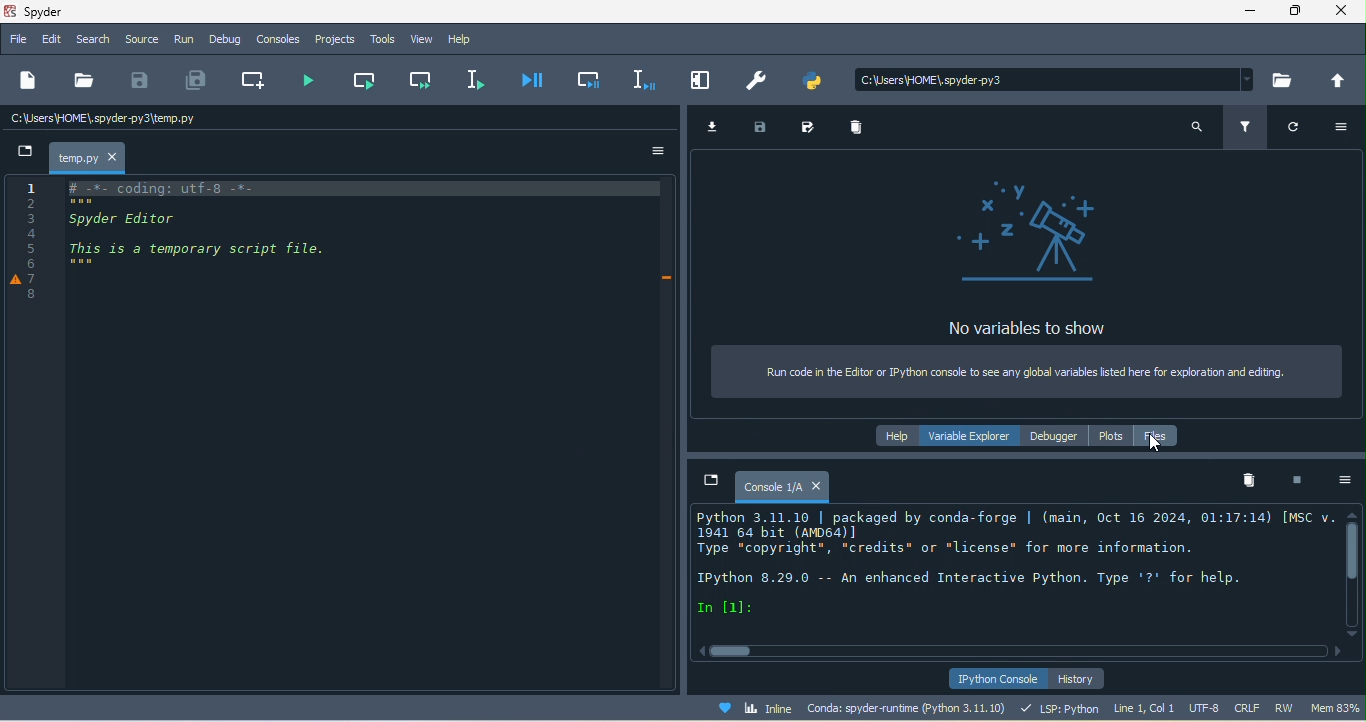 The image size is (1366, 722). Describe the element at coordinates (1244, 124) in the screenshot. I see `filter` at that location.